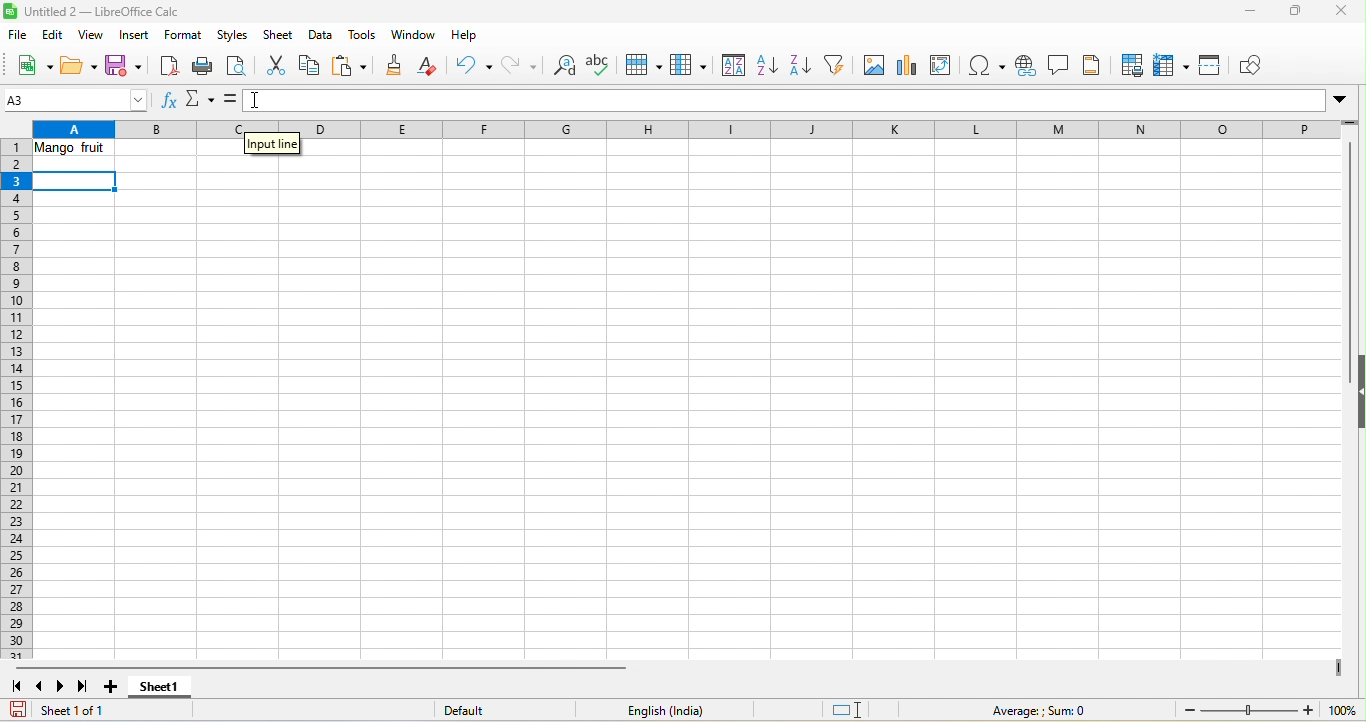 The height and width of the screenshot is (722, 1366). What do you see at coordinates (18, 688) in the screenshot?
I see `scroll to first sheet` at bounding box center [18, 688].